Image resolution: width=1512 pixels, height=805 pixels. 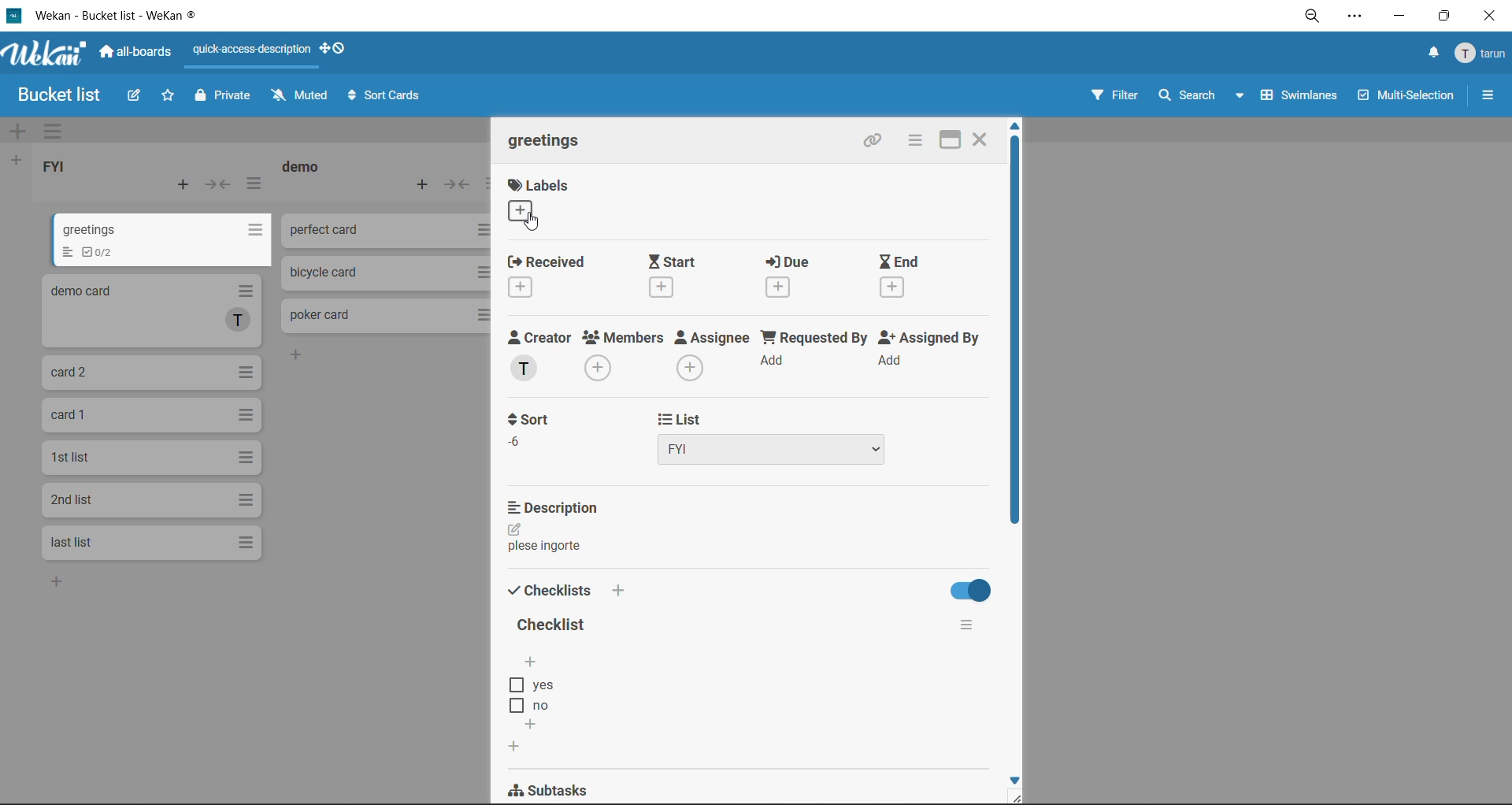 I want to click on checklist actions, so click(x=962, y=626).